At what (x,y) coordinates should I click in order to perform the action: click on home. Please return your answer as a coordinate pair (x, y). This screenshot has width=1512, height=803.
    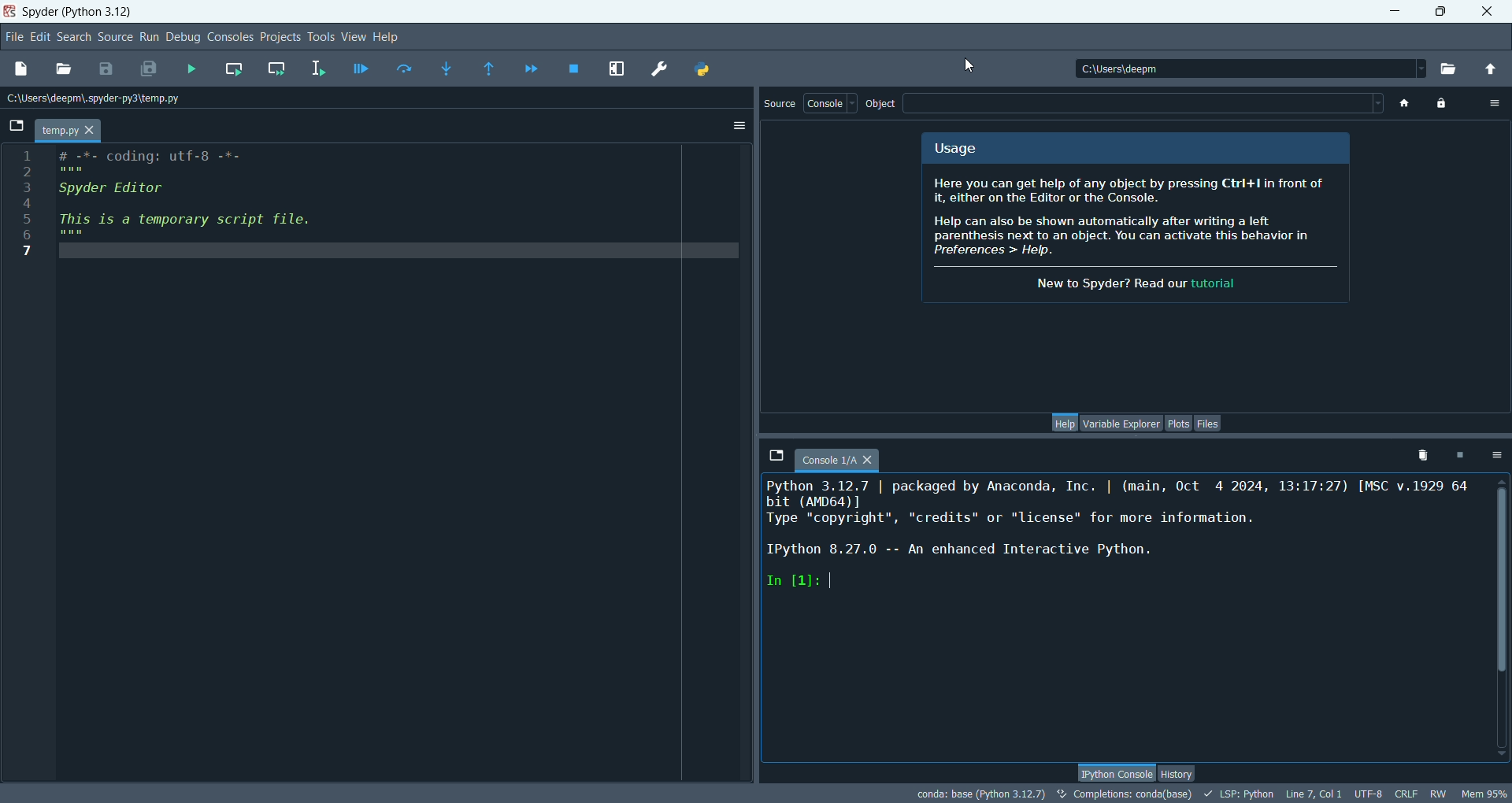
    Looking at the image, I should click on (1406, 105).